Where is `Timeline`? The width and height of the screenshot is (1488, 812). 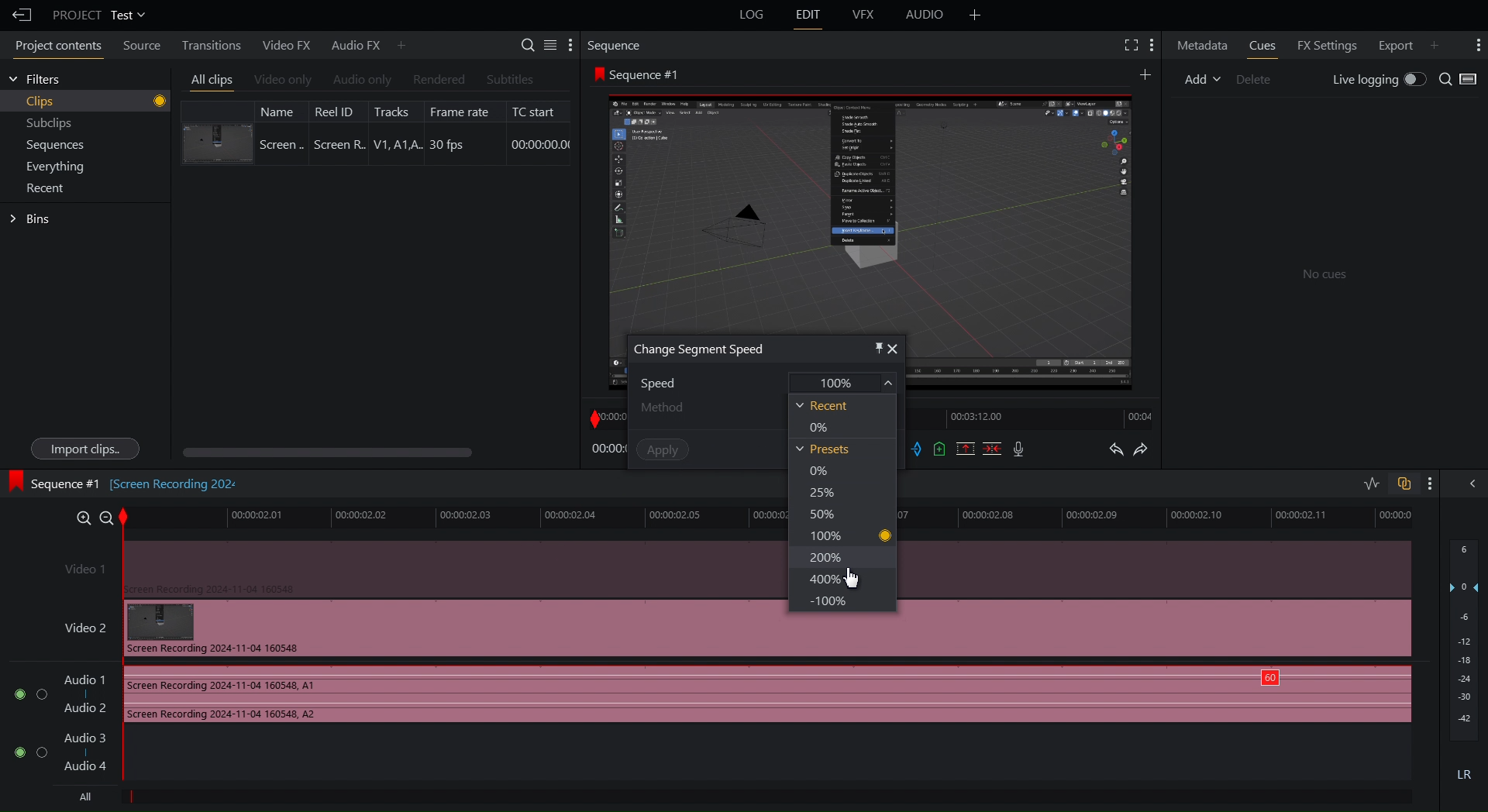
Timeline is located at coordinates (606, 416).